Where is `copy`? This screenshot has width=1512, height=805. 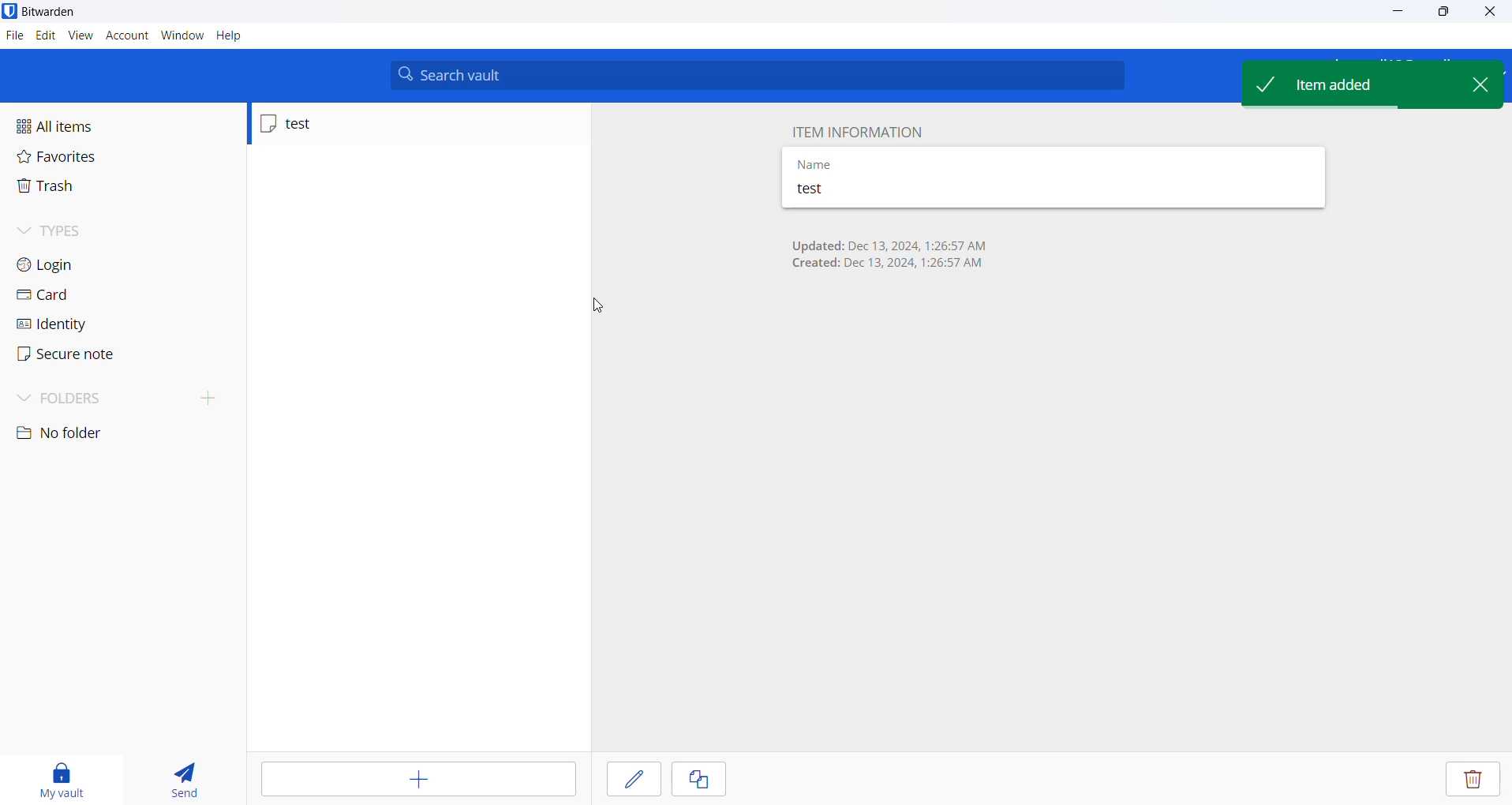
copy is located at coordinates (696, 779).